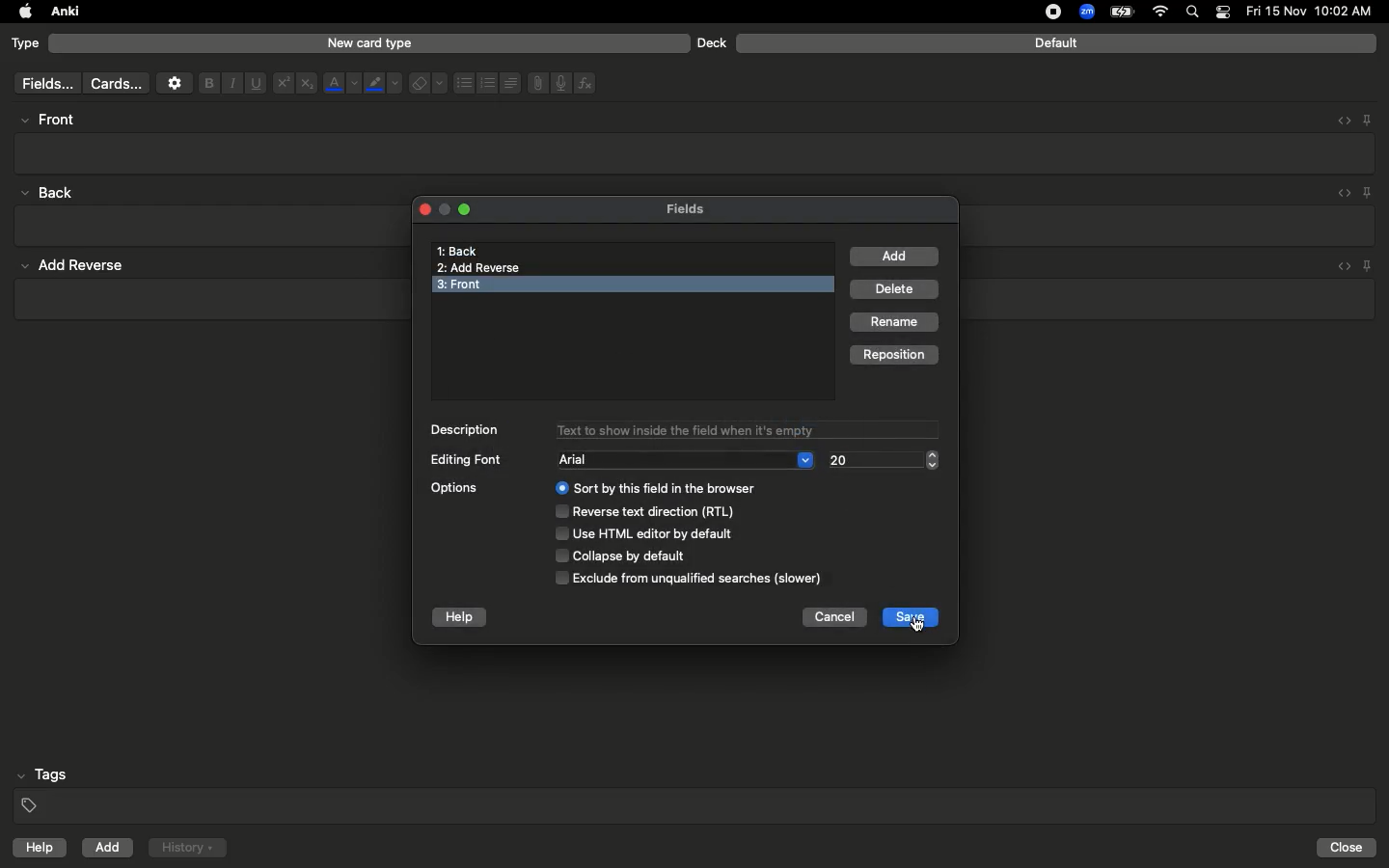 The width and height of the screenshot is (1389, 868). I want to click on pin, so click(1374, 265).